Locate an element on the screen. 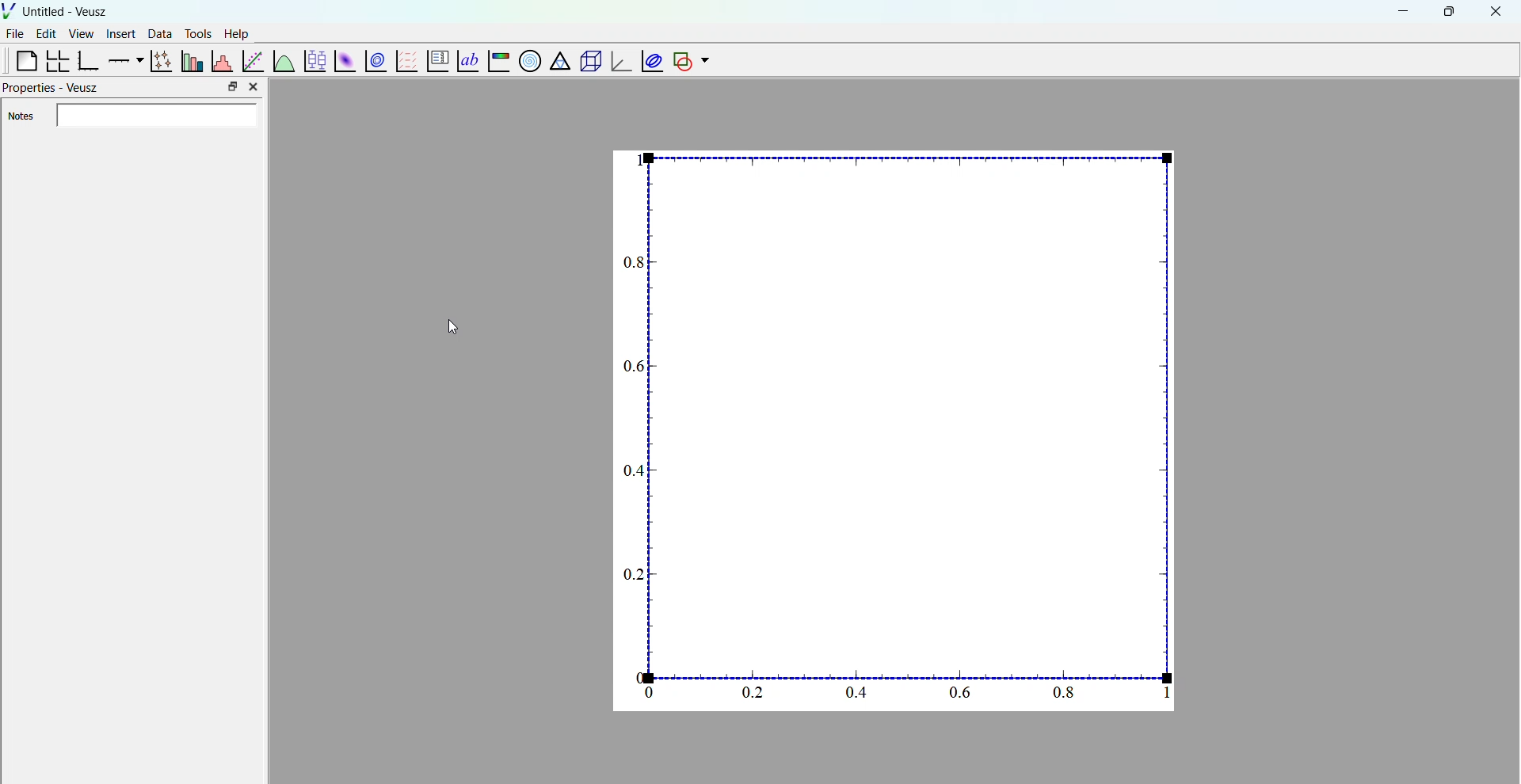 This screenshot has width=1521, height=784. 0.6 is located at coordinates (631, 367).